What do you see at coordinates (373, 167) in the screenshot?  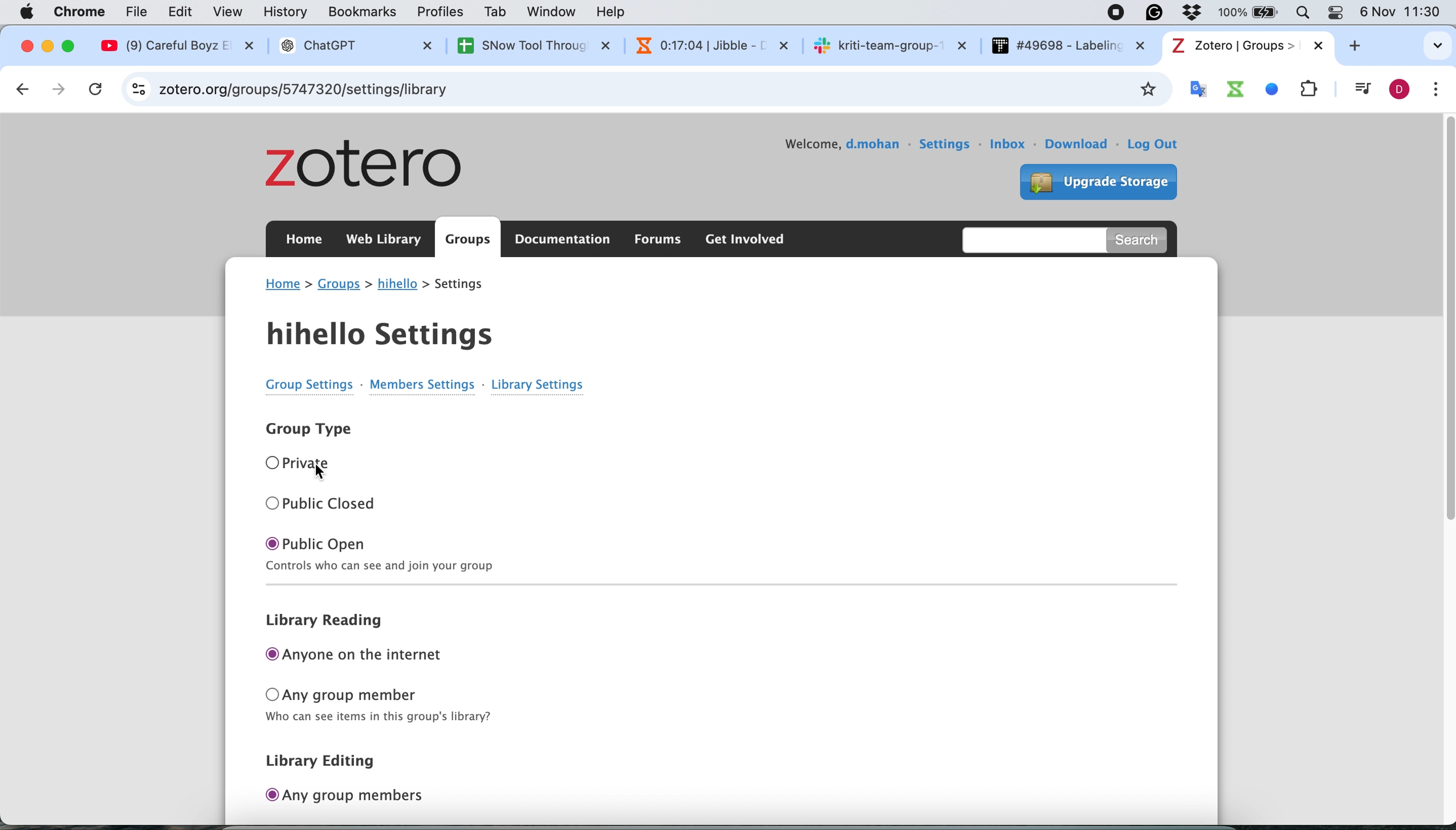 I see `zotero` at bounding box center [373, 167].